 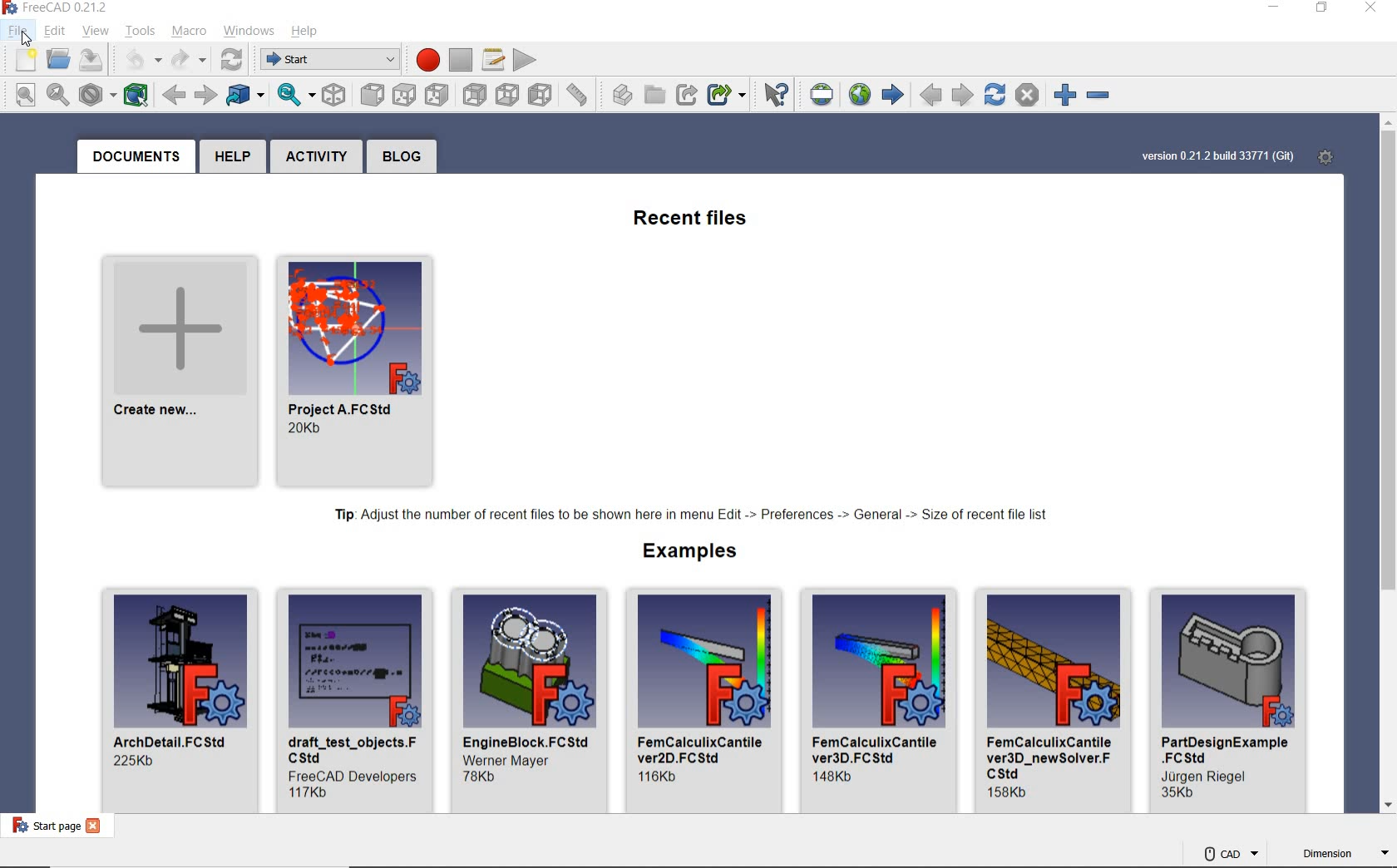 What do you see at coordinates (249, 31) in the screenshot?
I see `WINDOWS` at bounding box center [249, 31].